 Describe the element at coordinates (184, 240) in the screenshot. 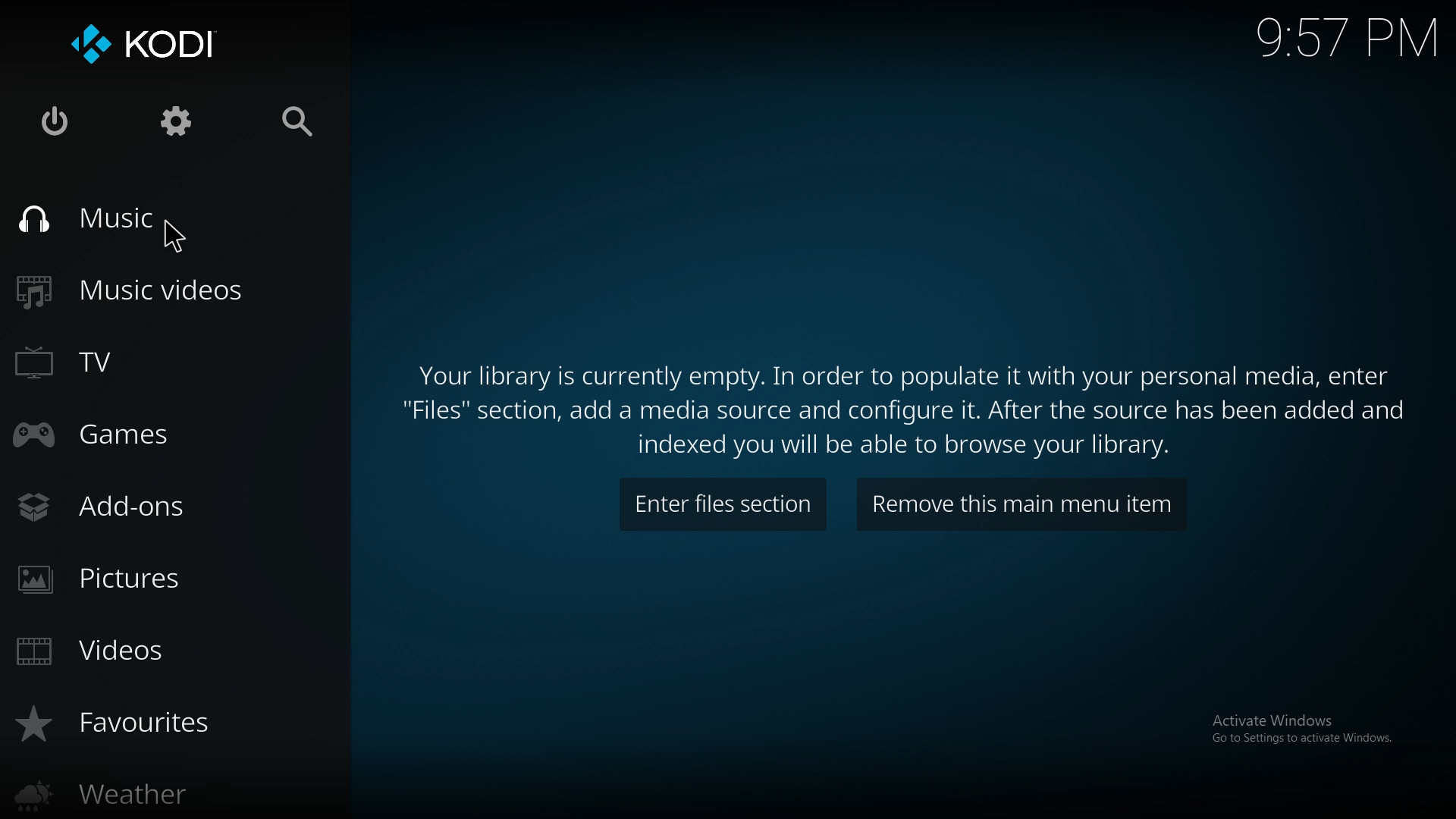

I see `pointer curse` at that location.